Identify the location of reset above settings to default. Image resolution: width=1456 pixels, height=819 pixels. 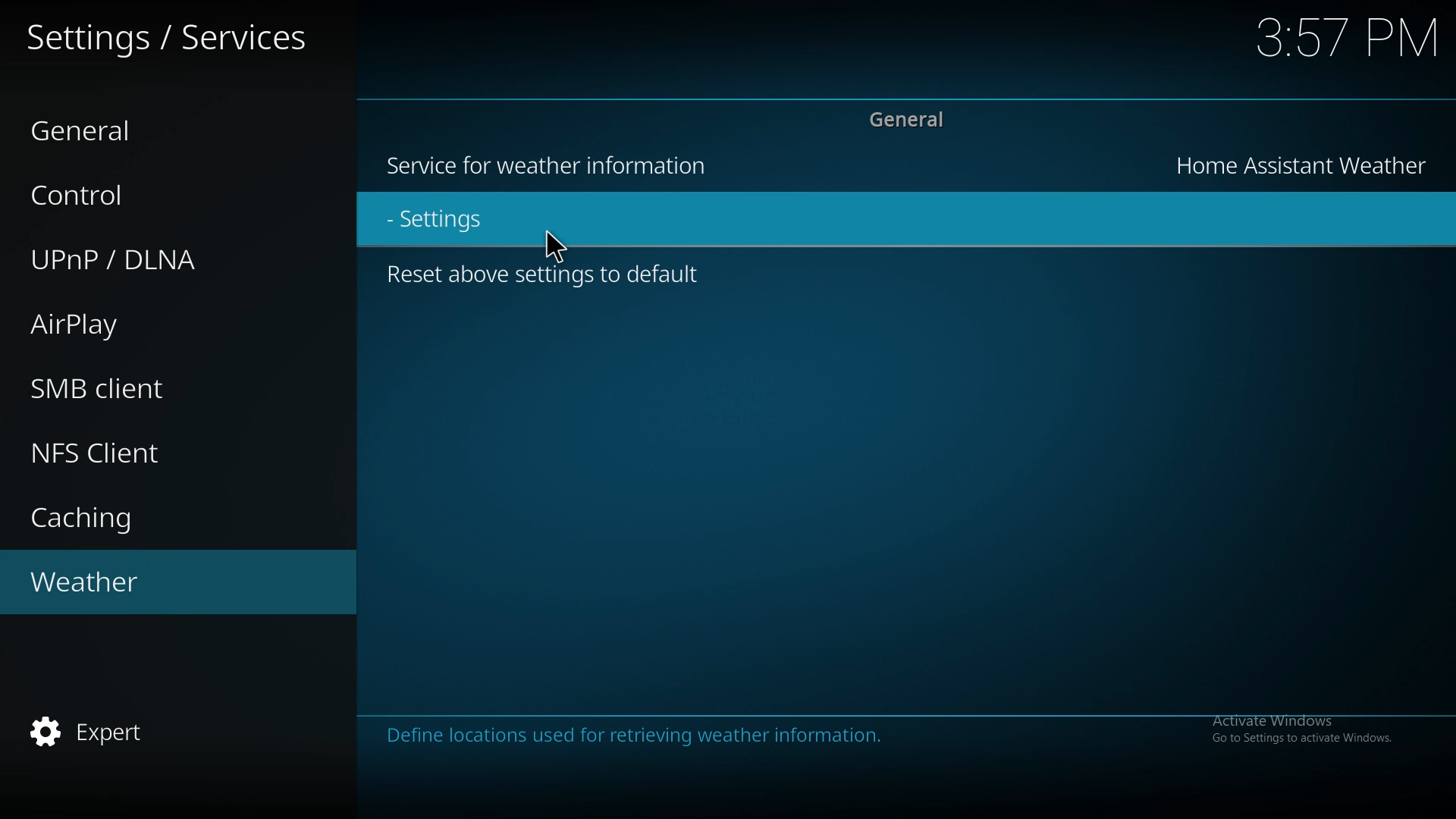
(549, 281).